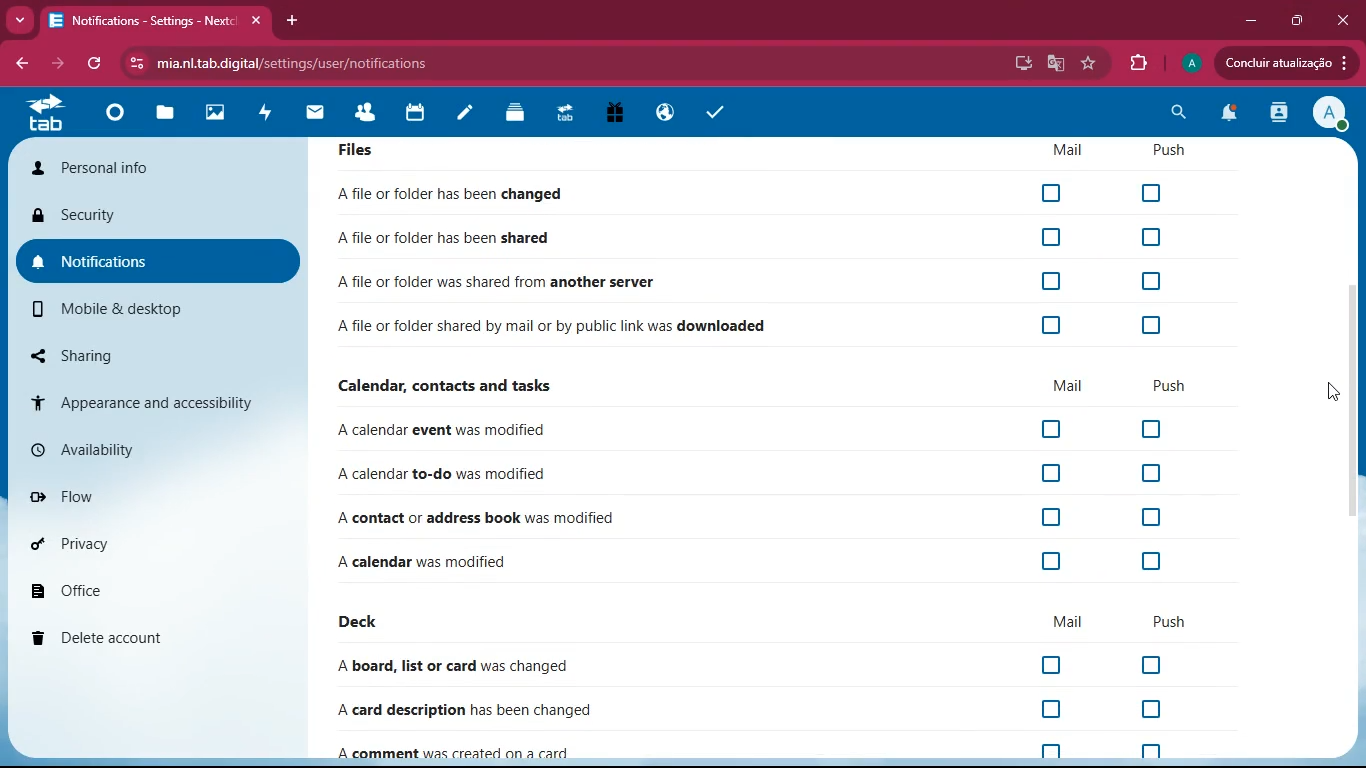  I want to click on tab, so click(569, 116).